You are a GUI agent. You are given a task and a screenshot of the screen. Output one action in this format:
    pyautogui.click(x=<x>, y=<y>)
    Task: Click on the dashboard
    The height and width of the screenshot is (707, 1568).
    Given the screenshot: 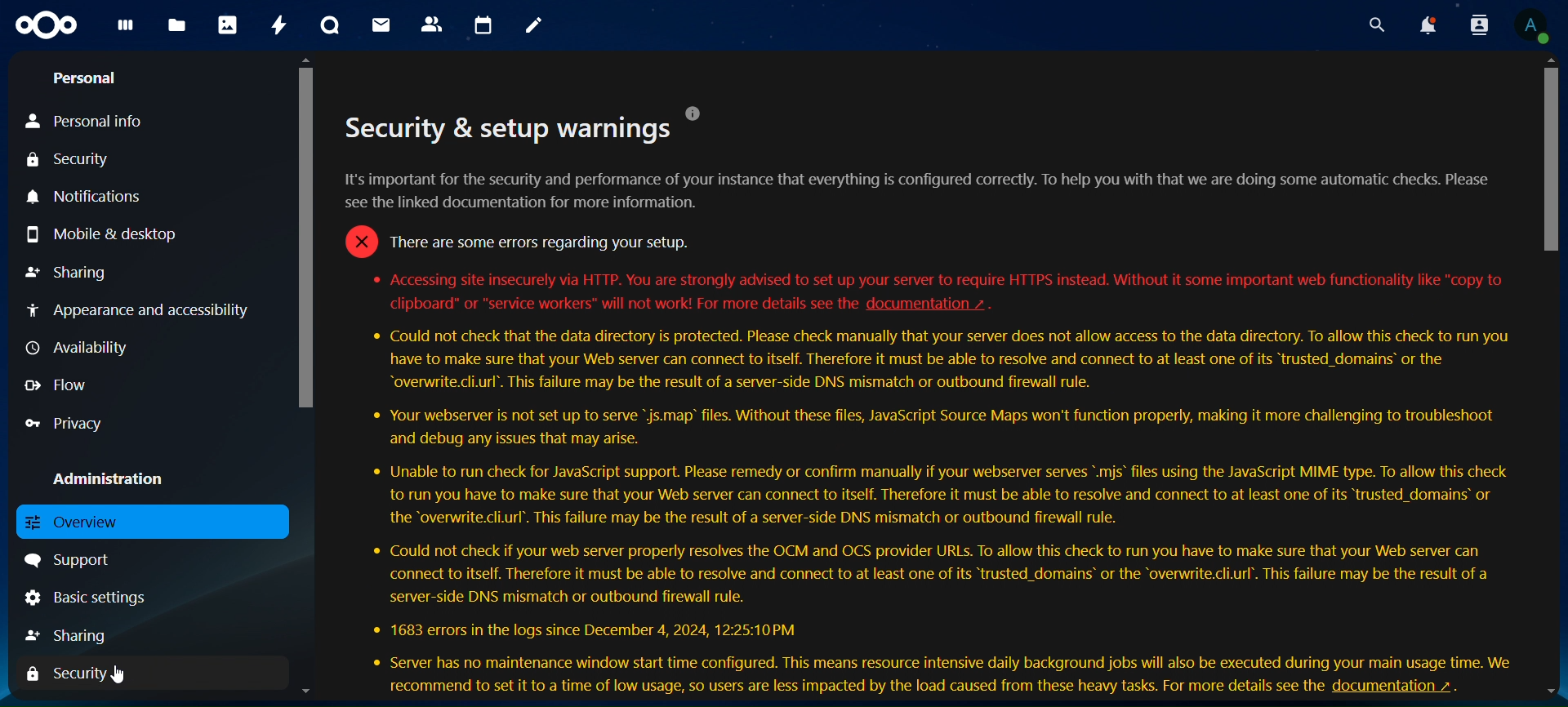 What is the action you would take?
    pyautogui.click(x=122, y=29)
    